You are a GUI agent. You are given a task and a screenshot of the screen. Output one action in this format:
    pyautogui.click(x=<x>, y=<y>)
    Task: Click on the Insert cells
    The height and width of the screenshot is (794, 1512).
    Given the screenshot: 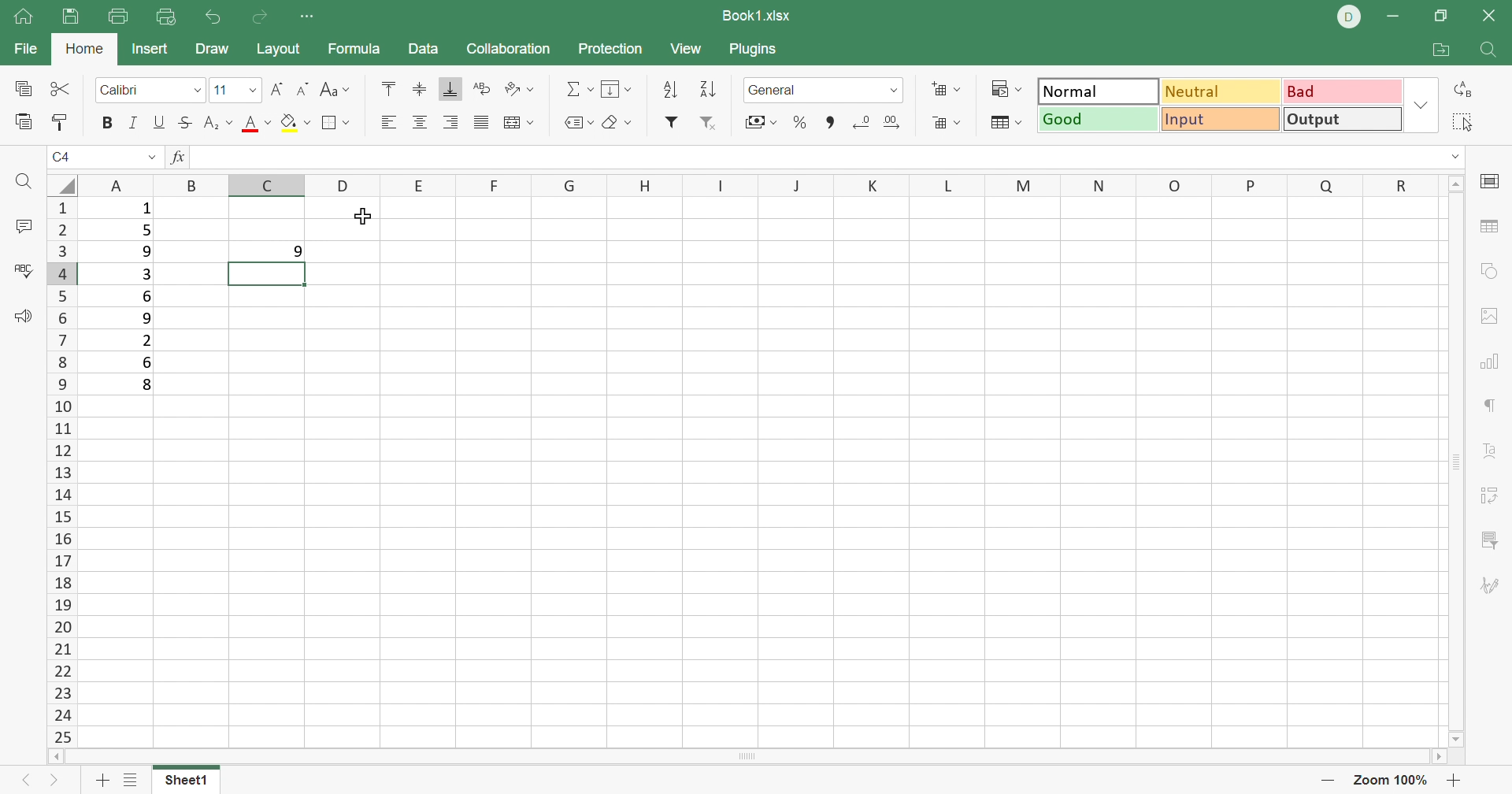 What is the action you would take?
    pyautogui.click(x=948, y=90)
    